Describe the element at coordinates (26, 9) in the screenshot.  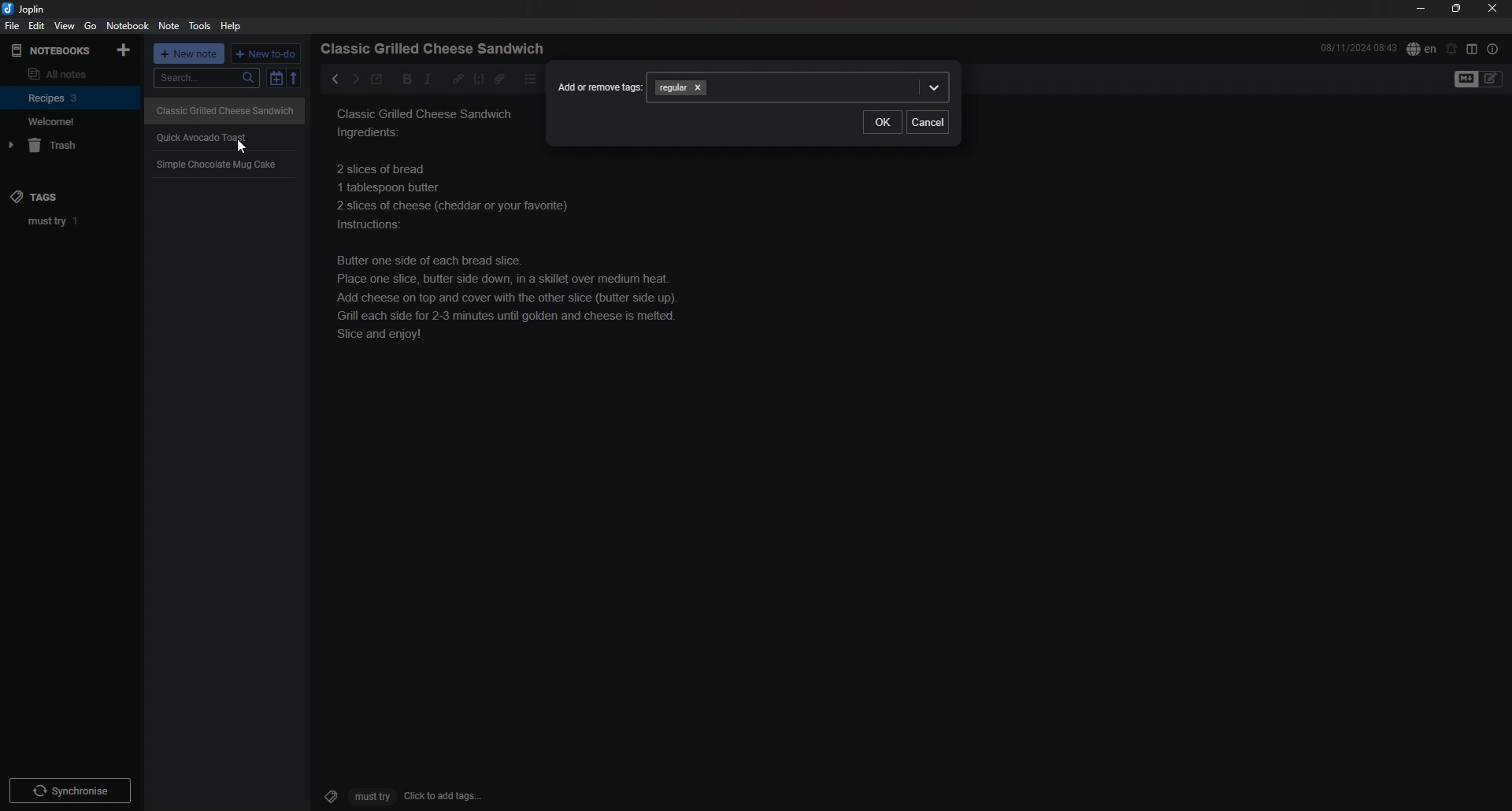
I see `joplin` at that location.